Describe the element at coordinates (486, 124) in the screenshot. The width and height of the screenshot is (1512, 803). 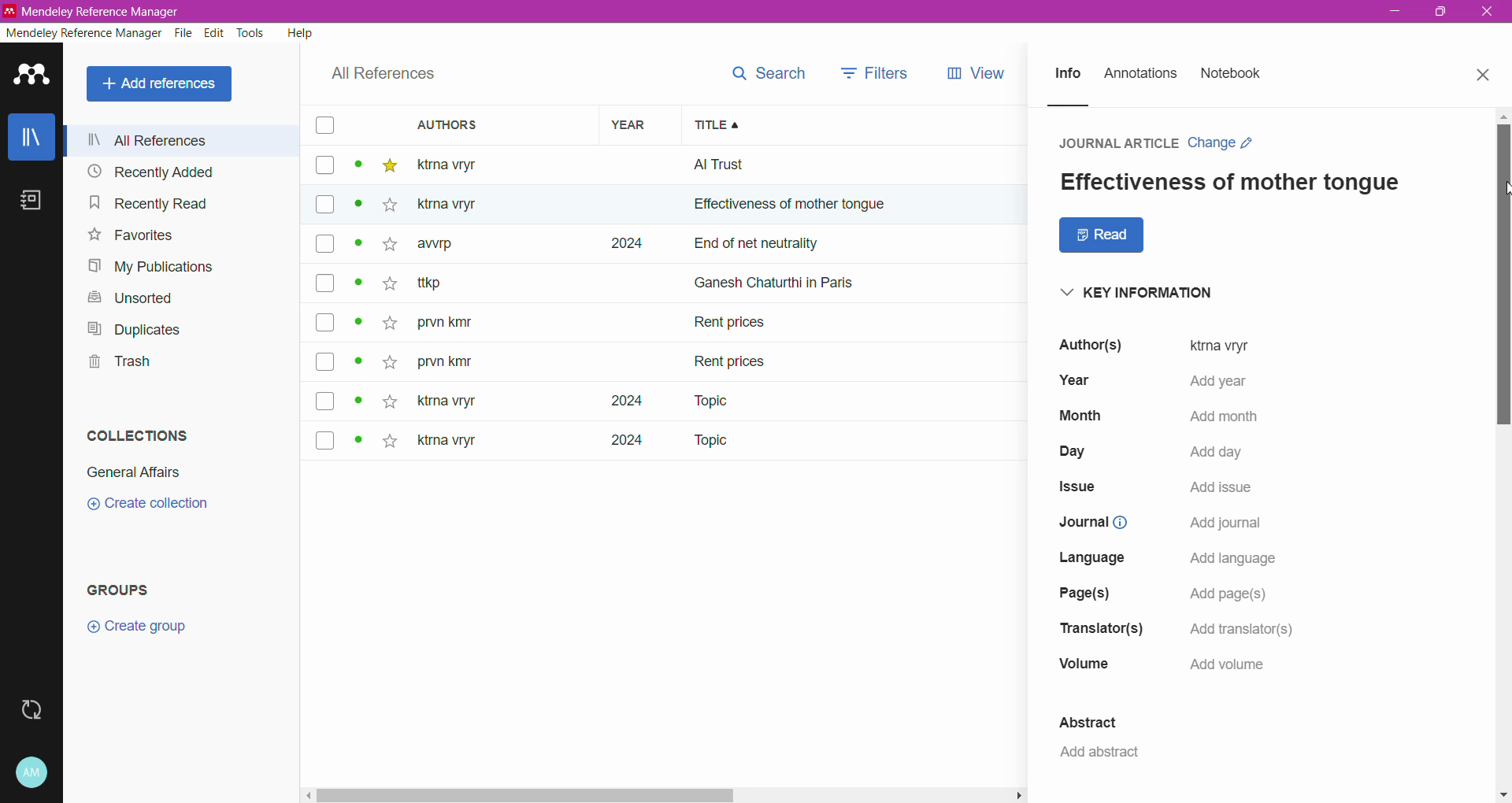
I see `Authors` at that location.